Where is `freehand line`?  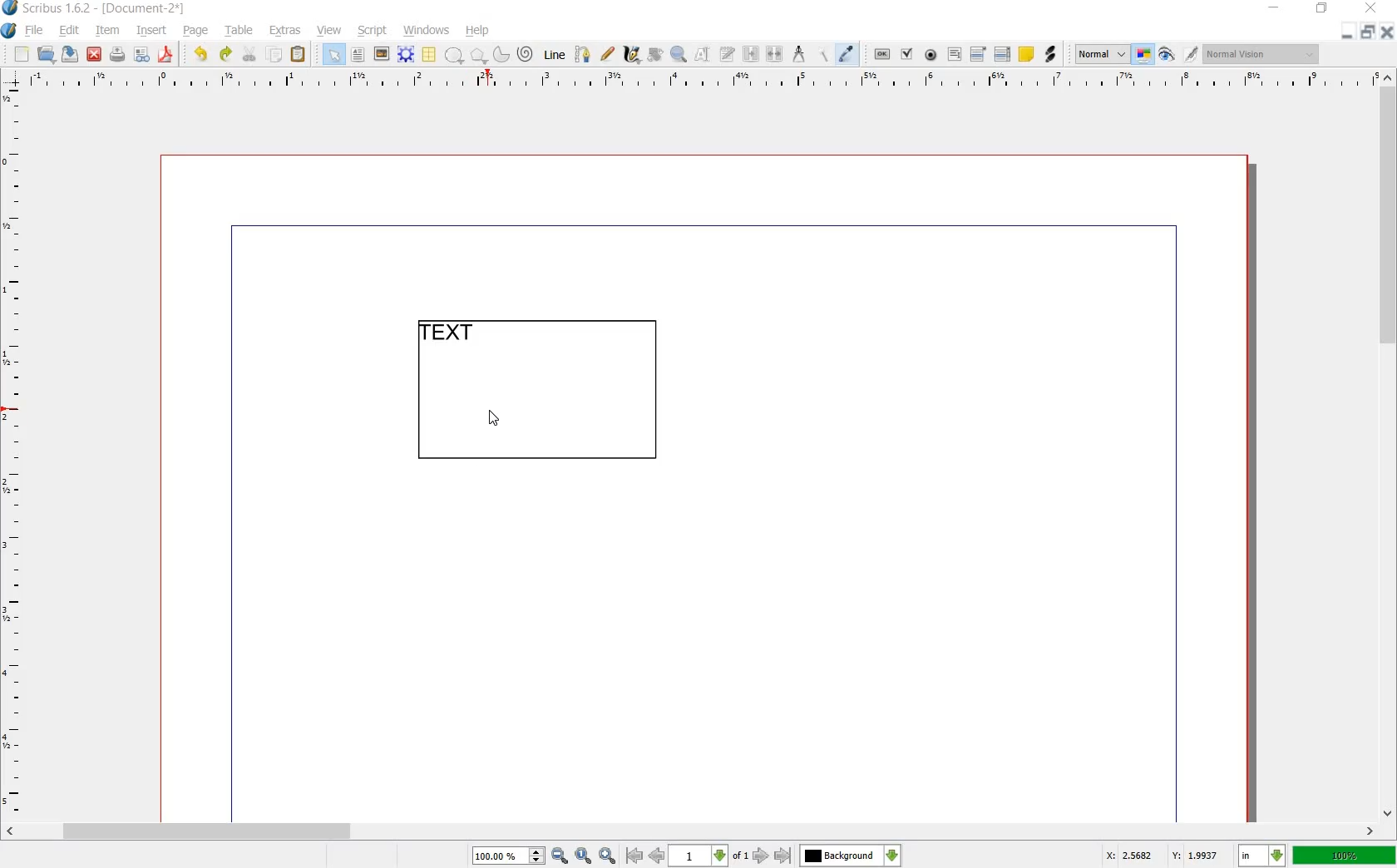
freehand line is located at coordinates (607, 53).